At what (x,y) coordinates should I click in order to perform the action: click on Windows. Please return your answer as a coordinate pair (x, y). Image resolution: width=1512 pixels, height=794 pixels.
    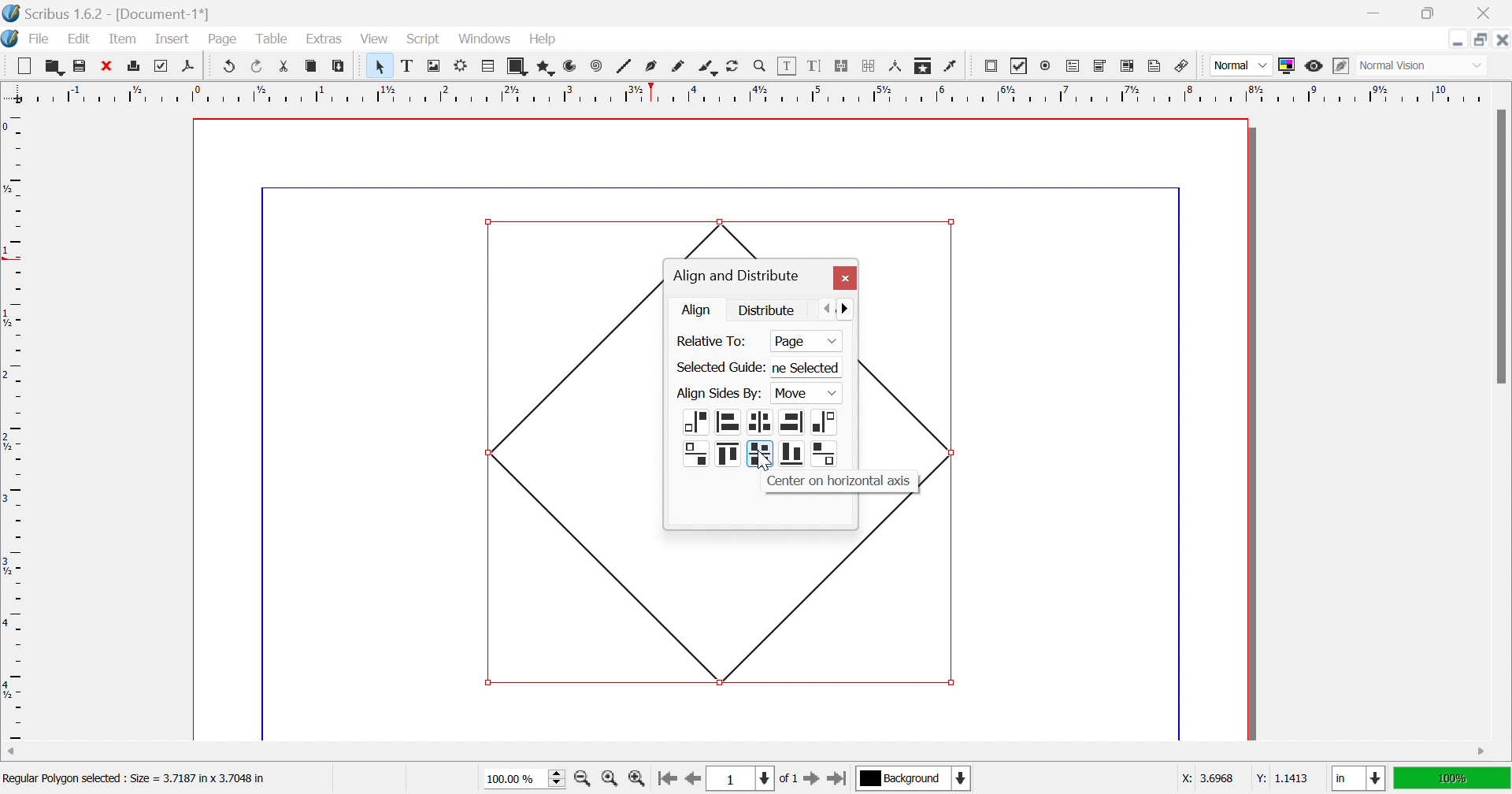
    Looking at the image, I should click on (487, 39).